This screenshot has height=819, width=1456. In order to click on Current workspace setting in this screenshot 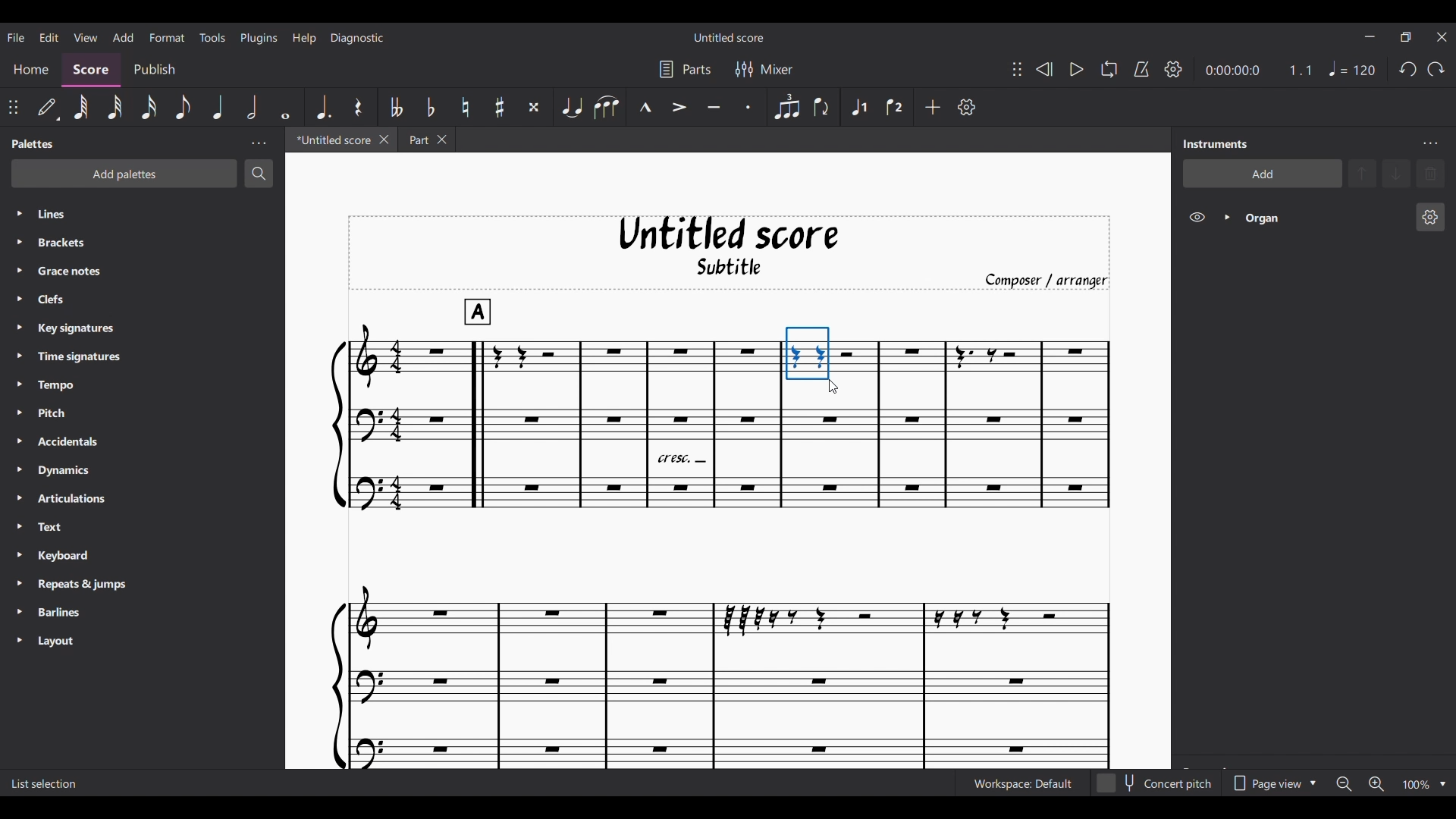, I will do `click(1022, 784)`.